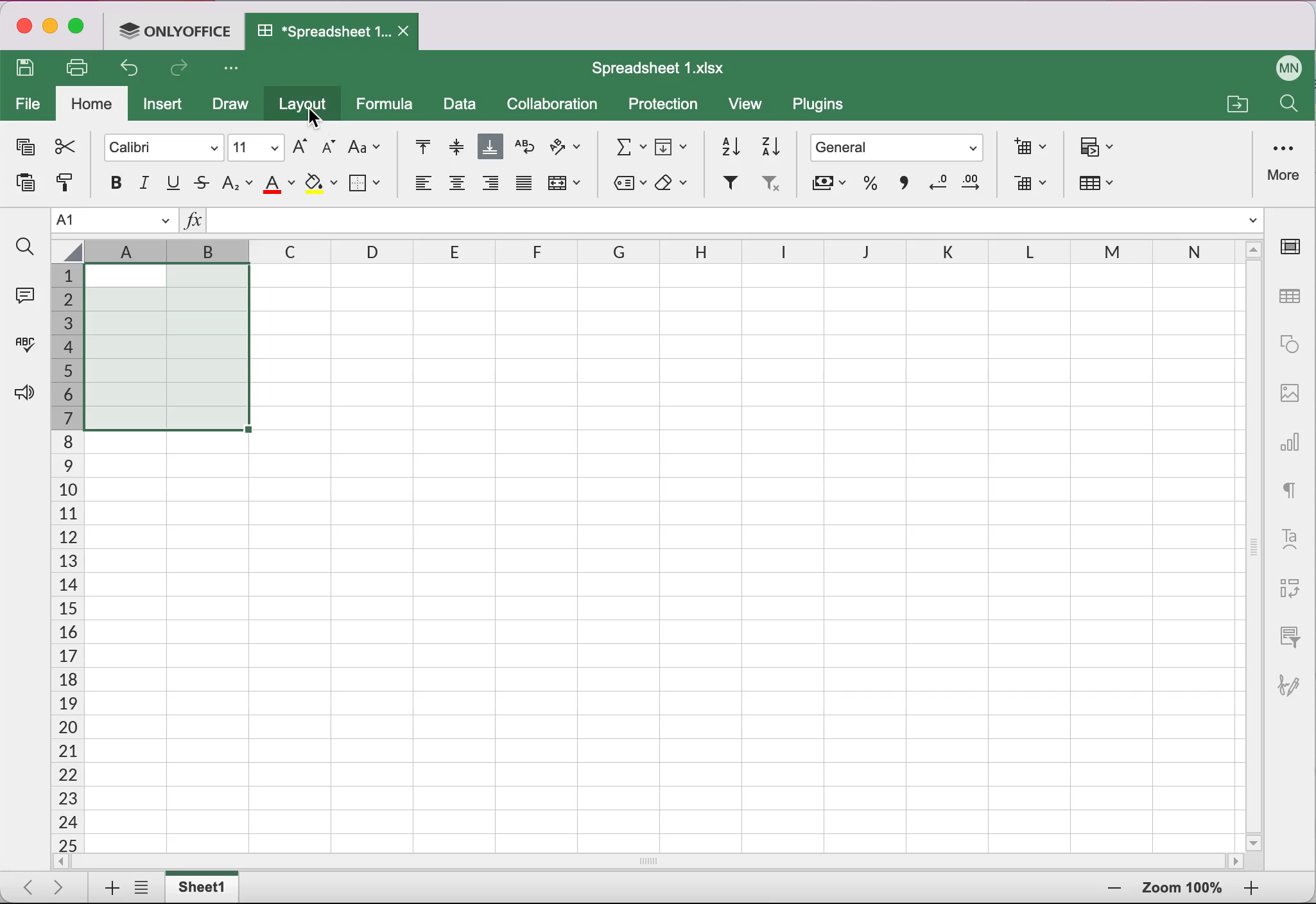  I want to click on plugins, so click(824, 107).